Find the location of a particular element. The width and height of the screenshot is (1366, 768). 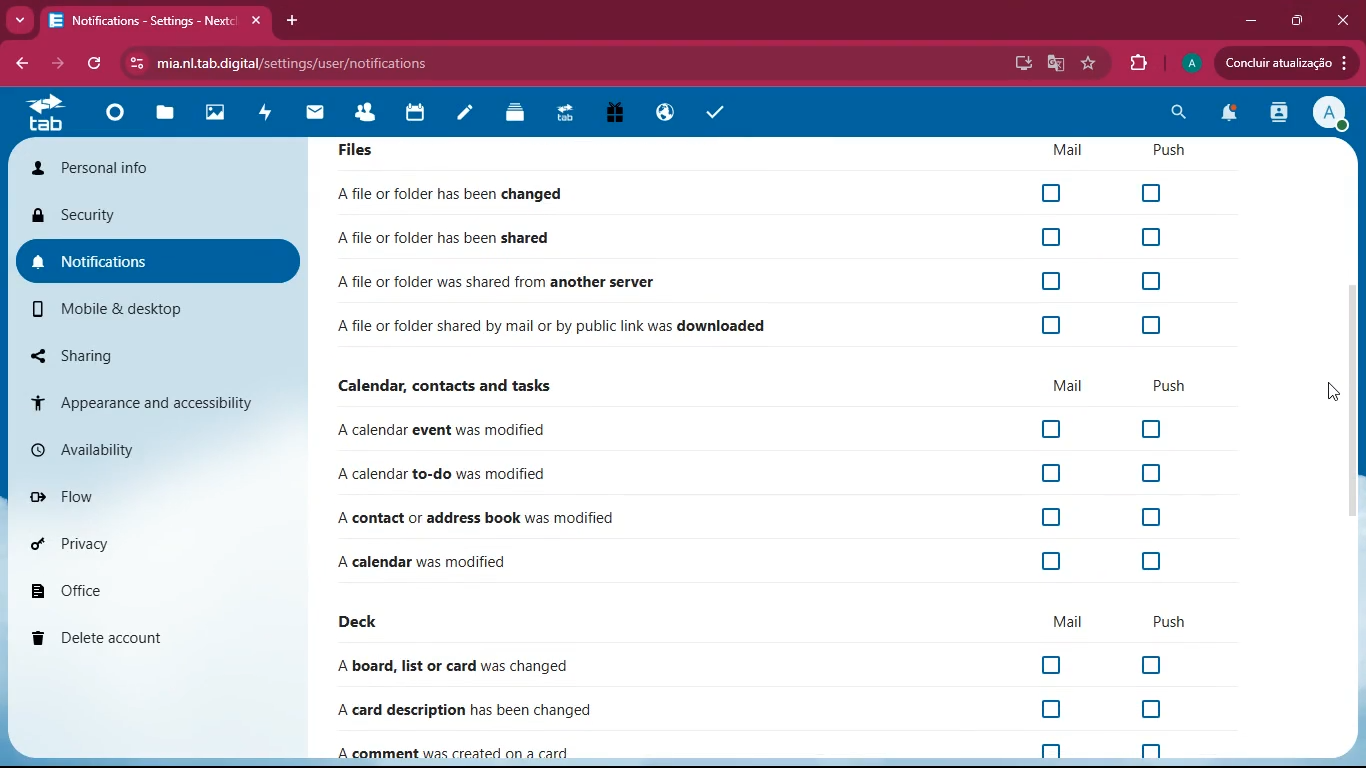

Files is located at coordinates (772, 154).